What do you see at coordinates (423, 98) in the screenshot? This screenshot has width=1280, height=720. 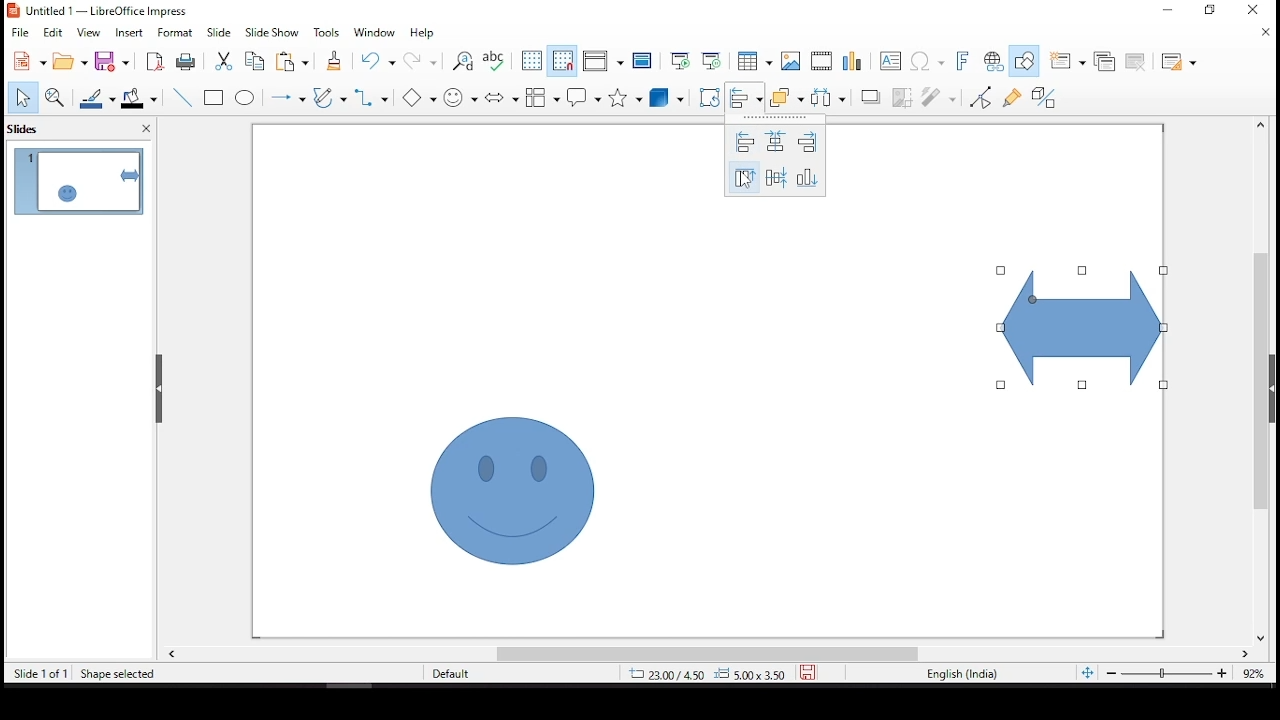 I see `` at bounding box center [423, 98].